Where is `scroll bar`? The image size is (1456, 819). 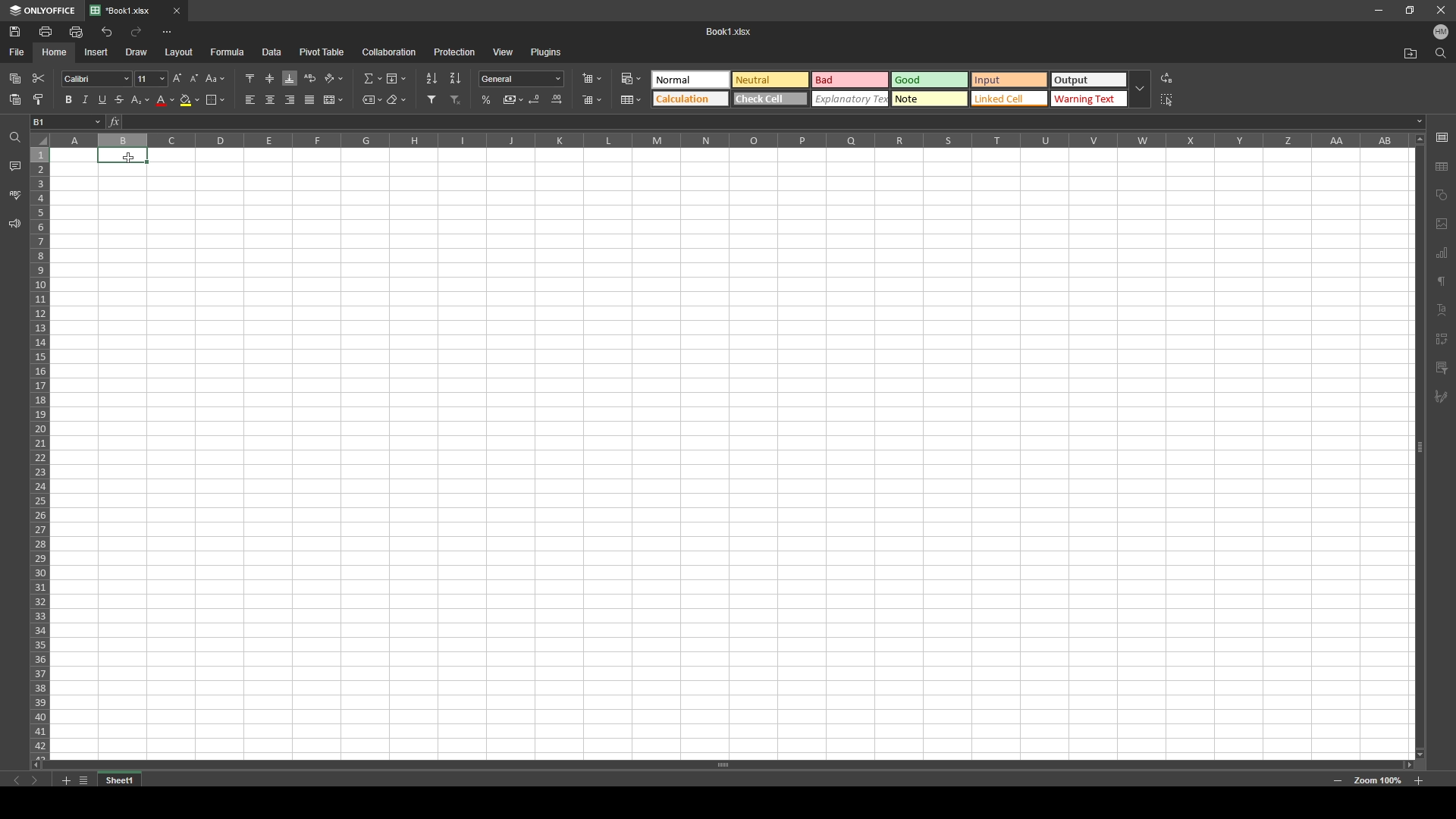
scroll bar is located at coordinates (1418, 444).